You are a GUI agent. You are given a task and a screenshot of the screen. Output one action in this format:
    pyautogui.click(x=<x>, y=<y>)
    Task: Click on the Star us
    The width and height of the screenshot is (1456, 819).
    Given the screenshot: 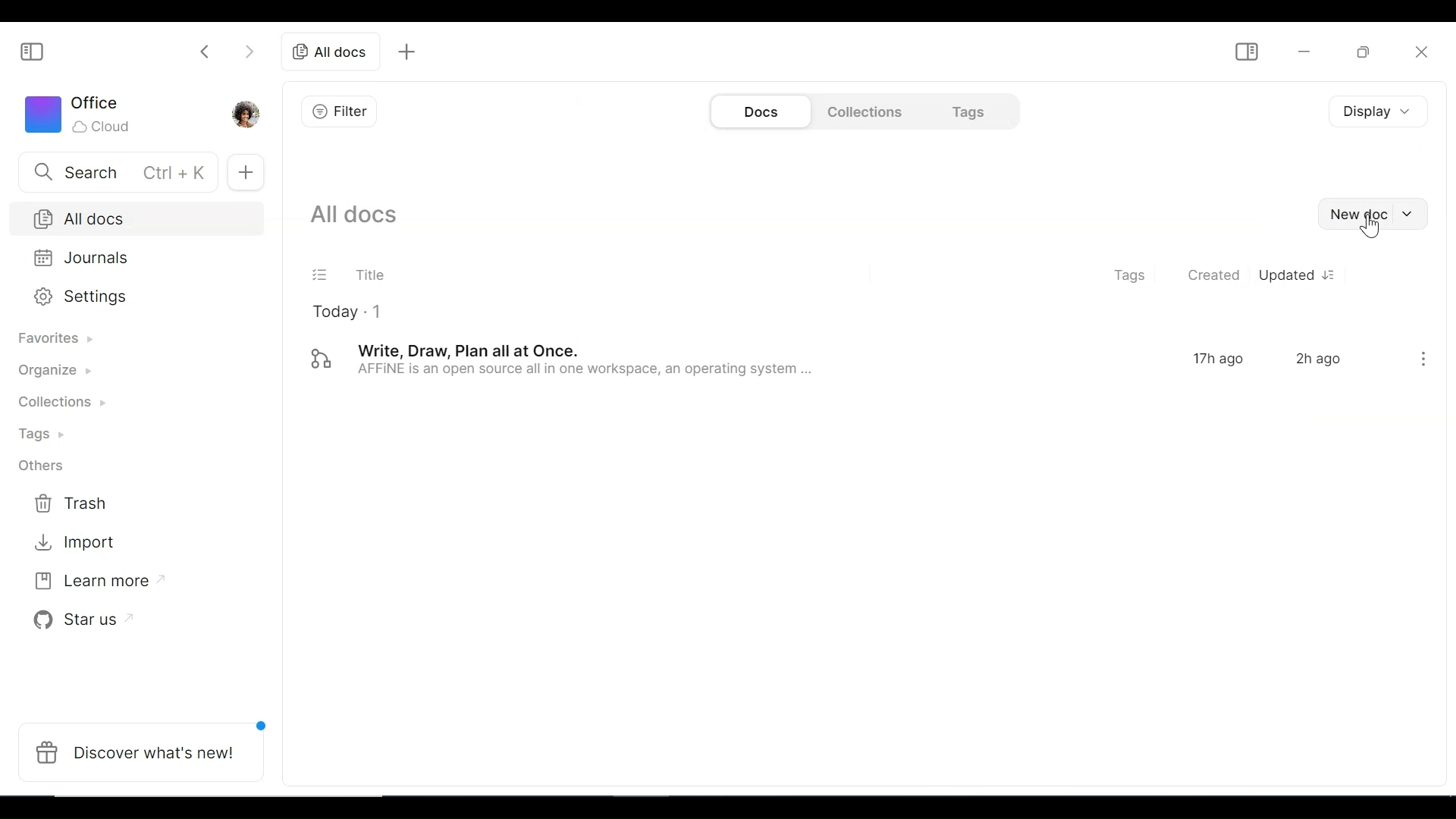 What is the action you would take?
    pyautogui.click(x=83, y=617)
    